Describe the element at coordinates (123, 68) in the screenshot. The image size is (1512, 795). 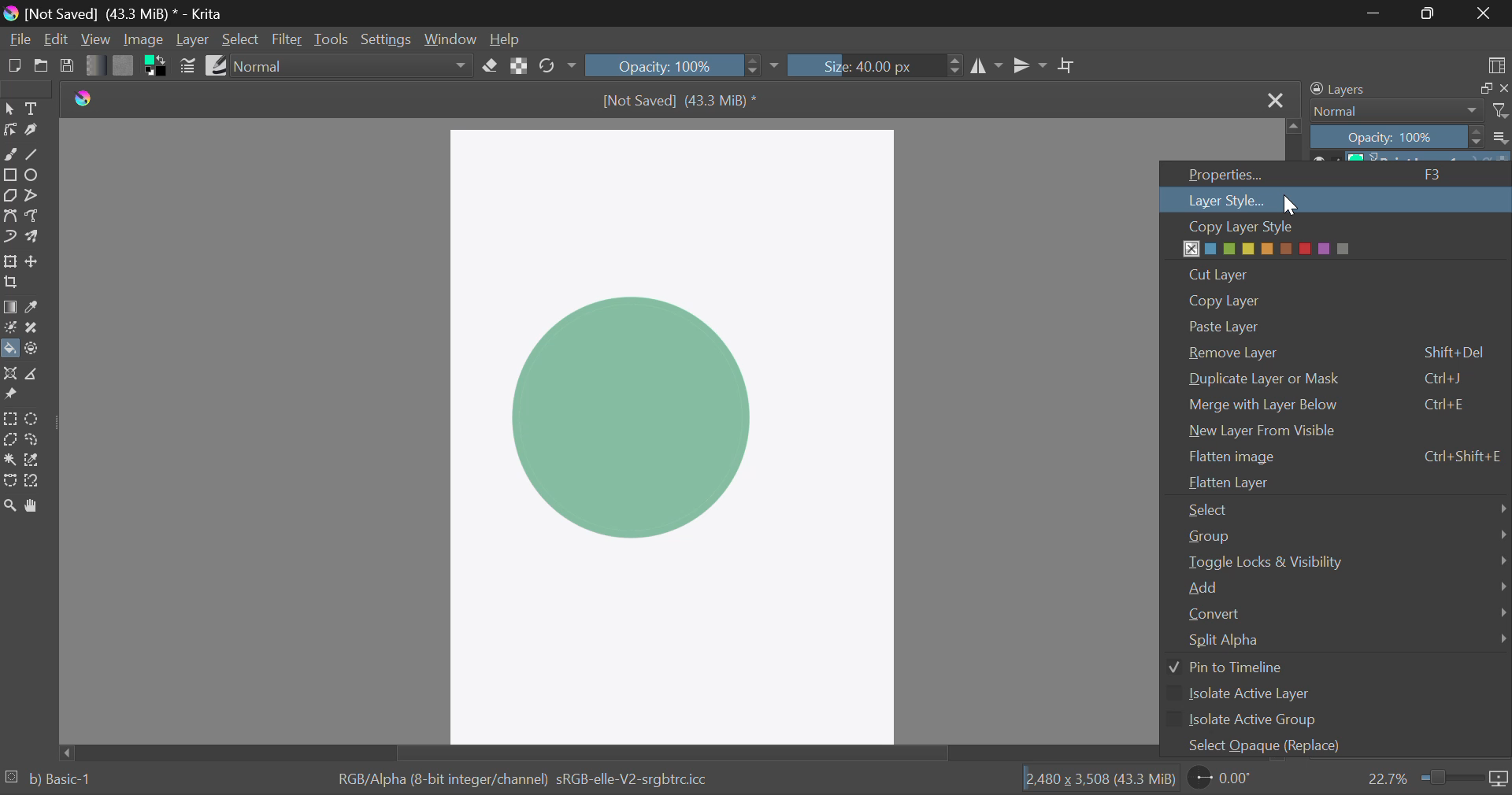
I see `Pattern` at that location.